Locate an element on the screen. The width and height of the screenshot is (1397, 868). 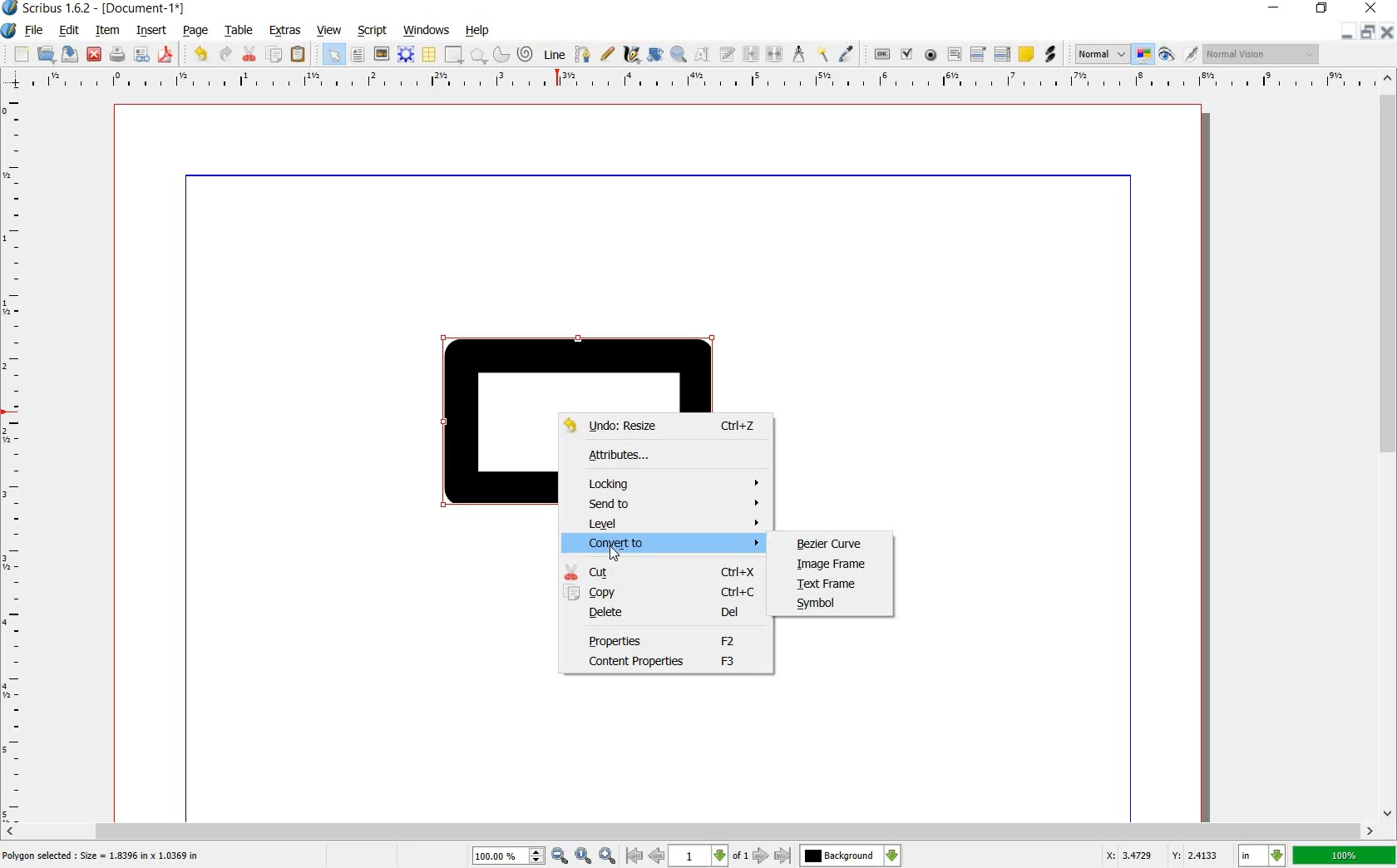
pdf push button is located at coordinates (877, 54).